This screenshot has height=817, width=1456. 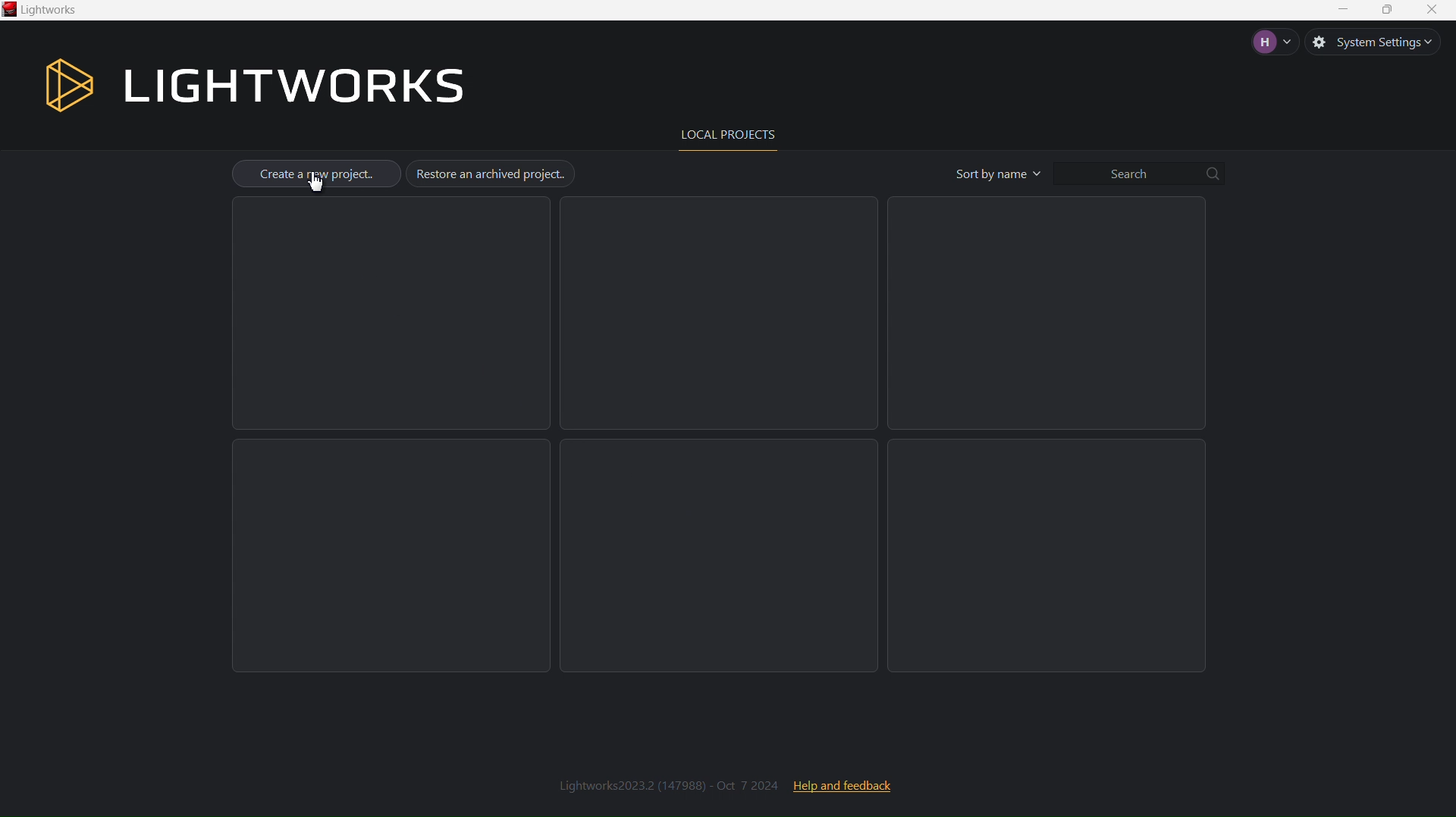 What do you see at coordinates (670, 783) in the screenshot?
I see `Lightworks2023.2 (147988) - Oct 7 2024` at bounding box center [670, 783].